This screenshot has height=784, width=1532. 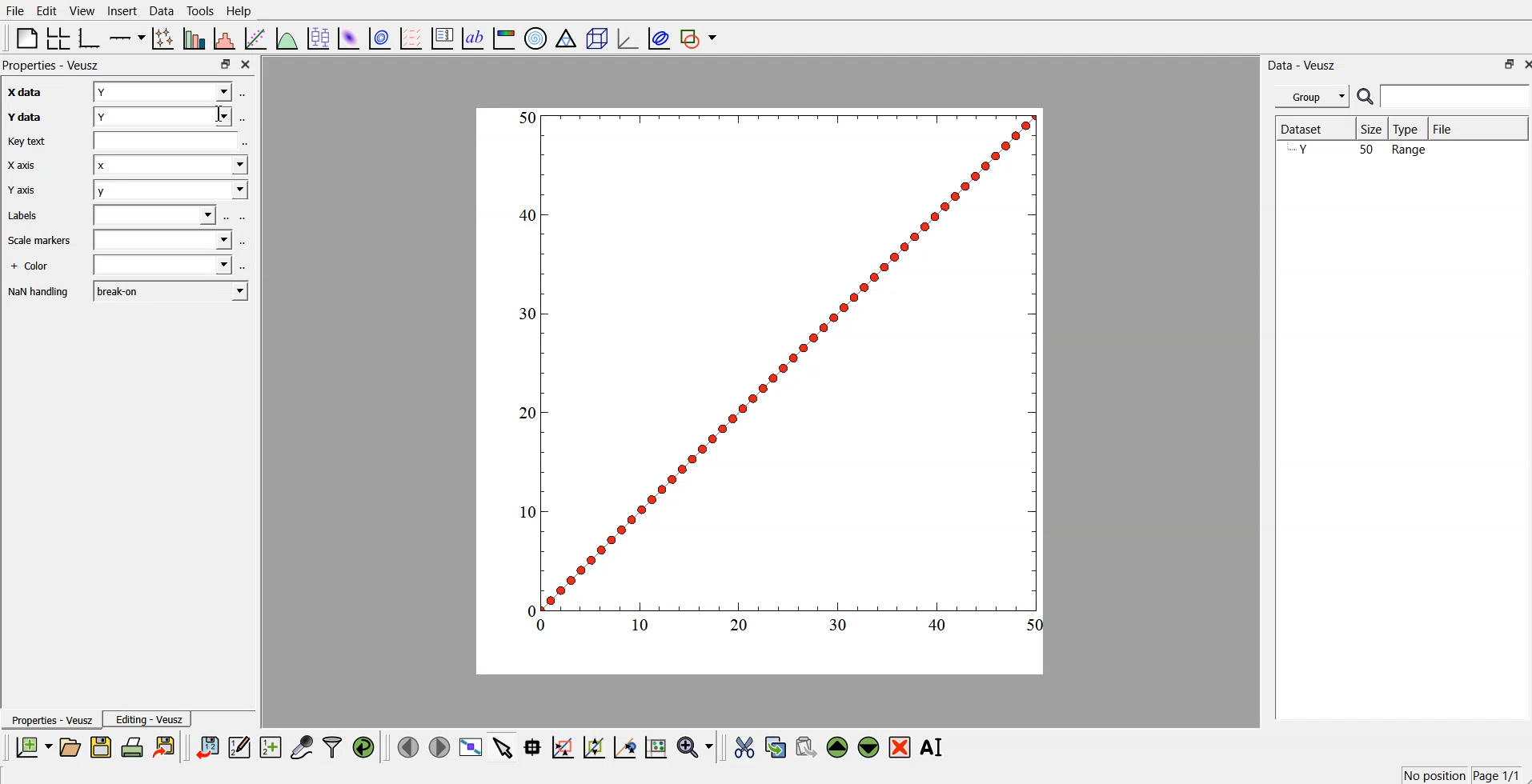 What do you see at coordinates (220, 114) in the screenshot?
I see `cursor` at bounding box center [220, 114].